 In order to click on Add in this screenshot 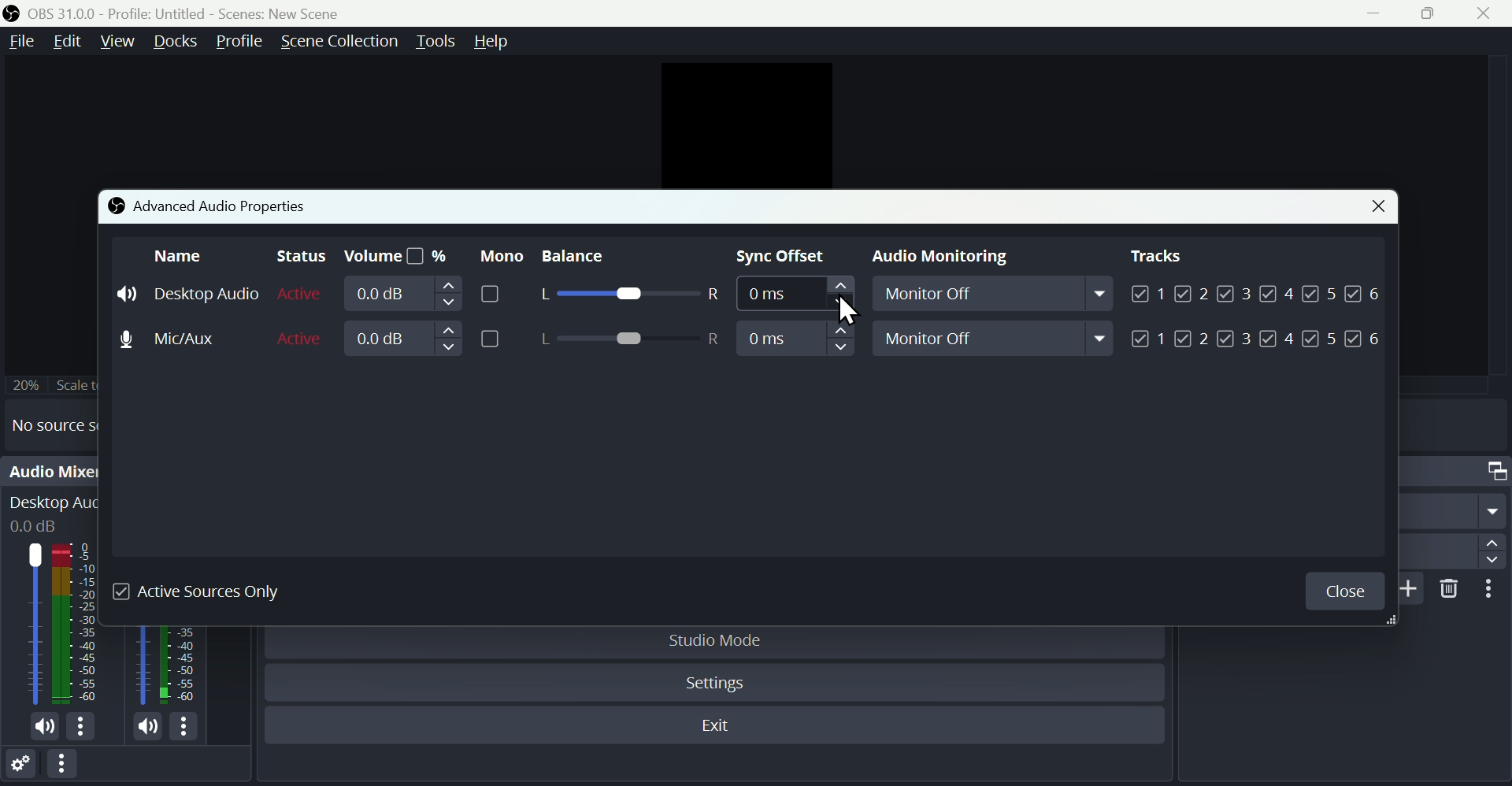, I will do `click(1413, 588)`.